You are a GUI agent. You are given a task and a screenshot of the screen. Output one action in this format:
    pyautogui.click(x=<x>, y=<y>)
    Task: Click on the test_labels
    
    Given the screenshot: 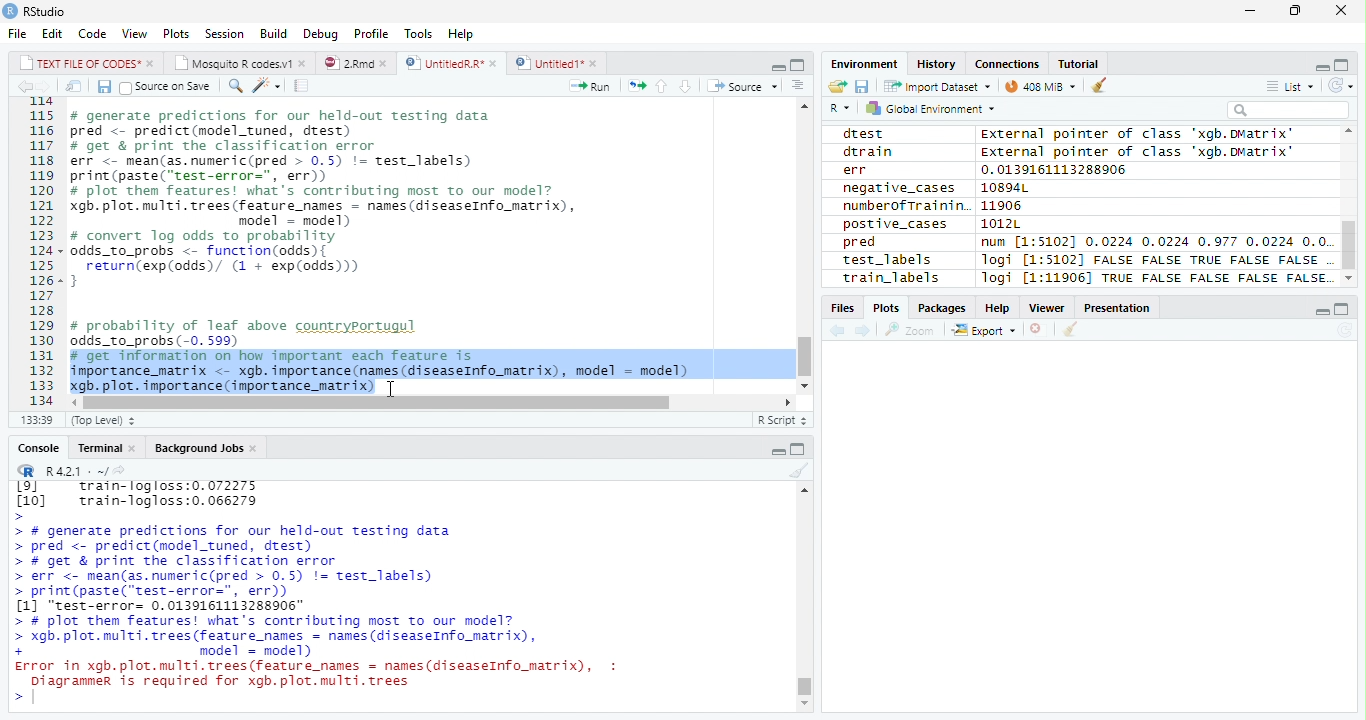 What is the action you would take?
    pyautogui.click(x=886, y=260)
    